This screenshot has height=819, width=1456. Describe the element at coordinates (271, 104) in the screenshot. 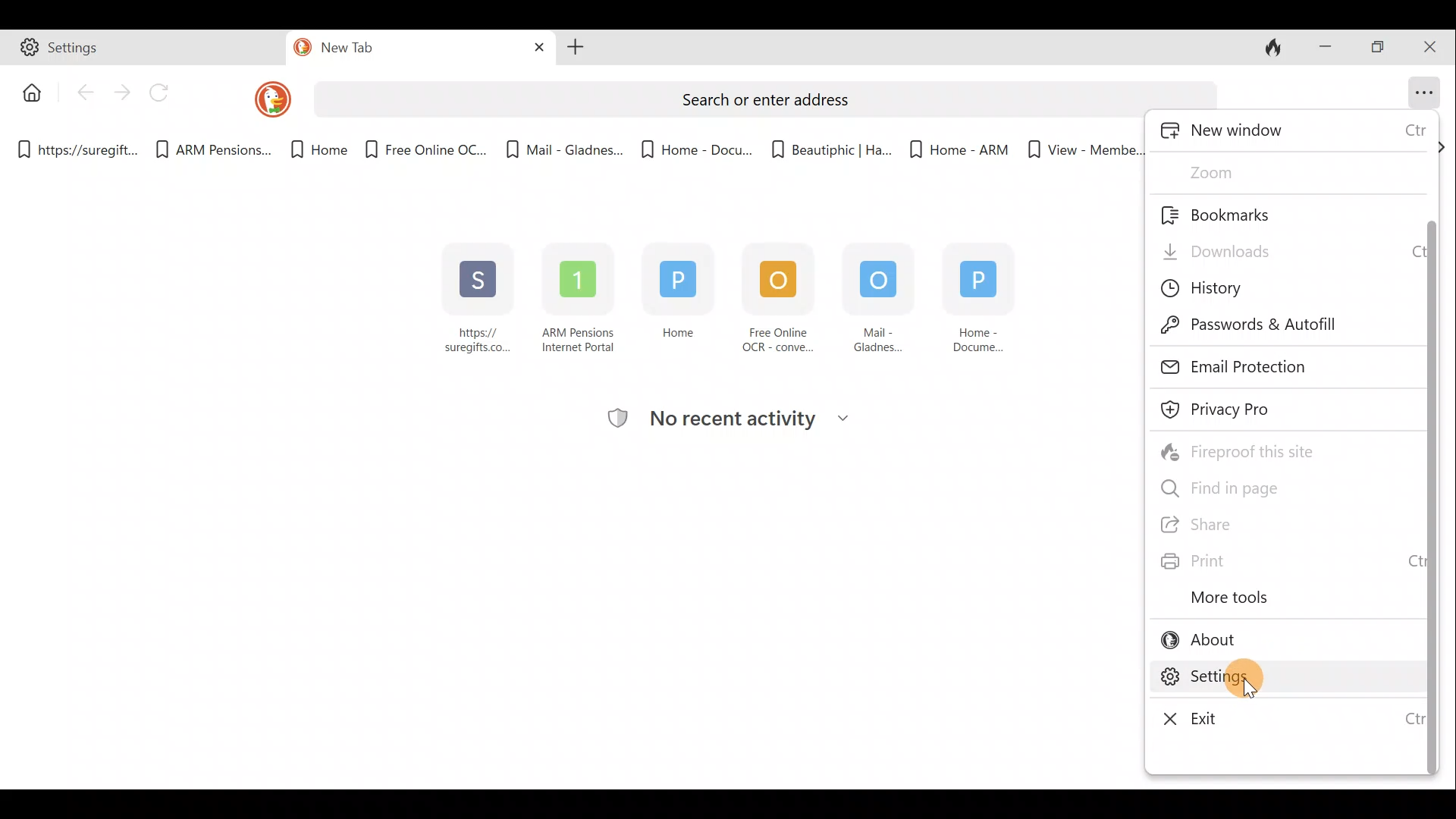

I see `DuckDuckGo logo` at that location.